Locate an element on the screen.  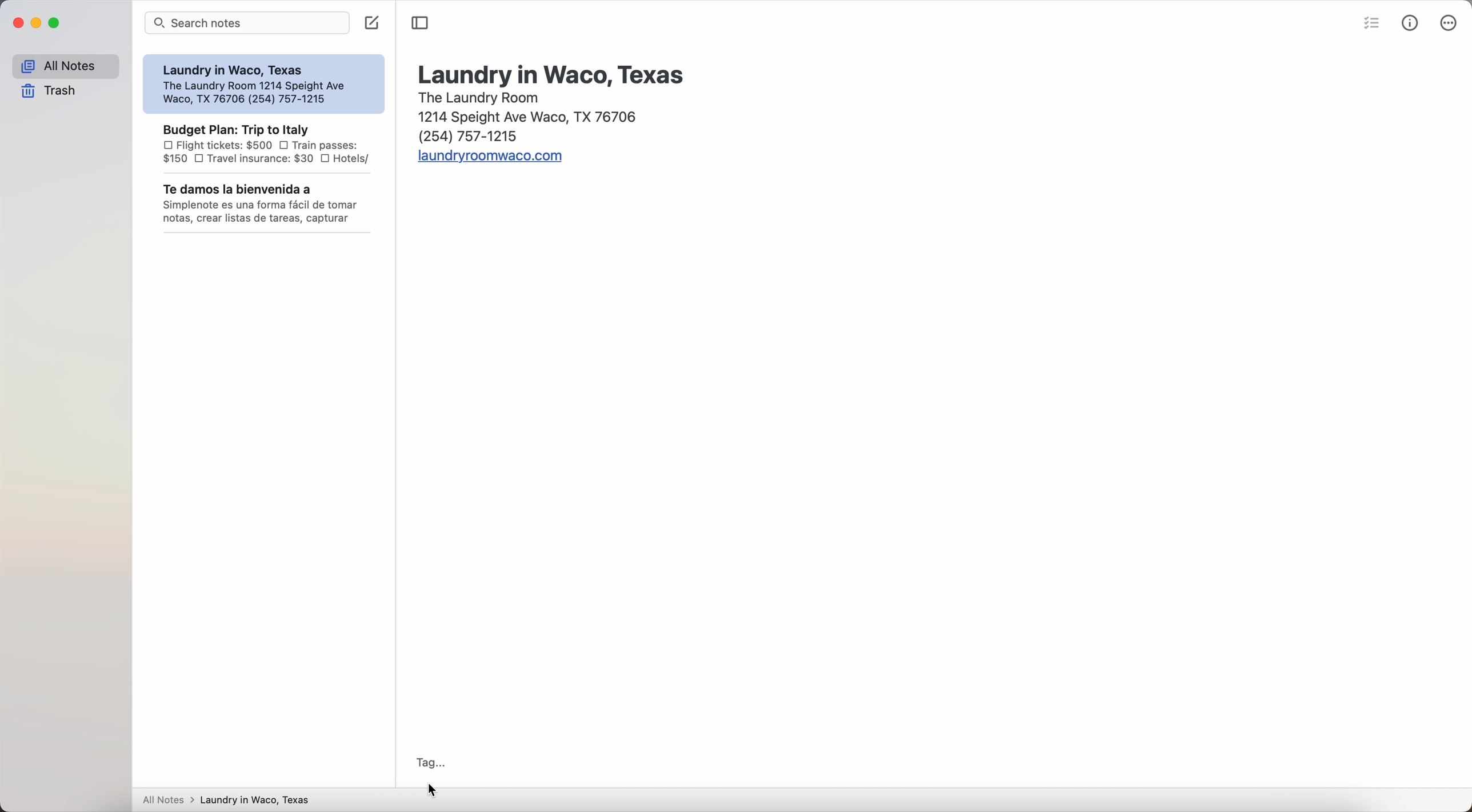
All notes is located at coordinates (65, 67).